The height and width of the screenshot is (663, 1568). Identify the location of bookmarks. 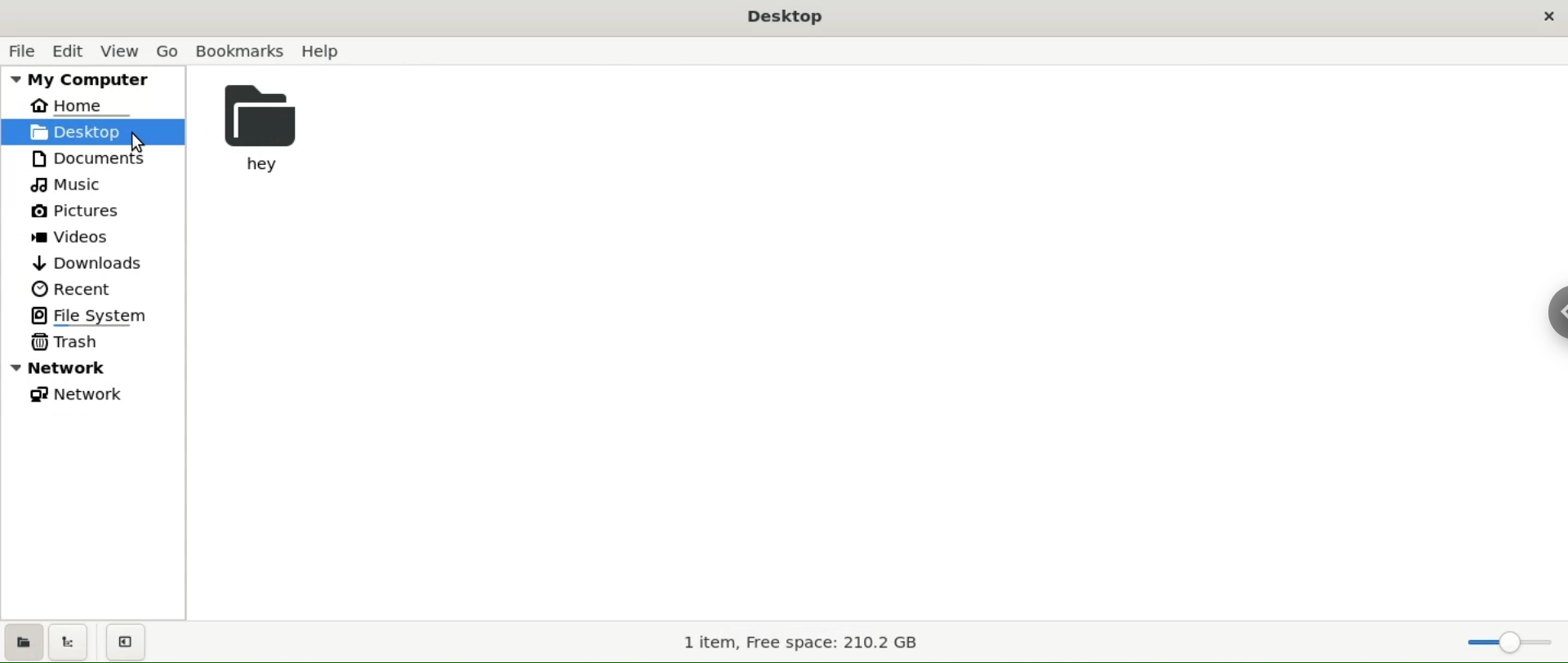
(243, 51).